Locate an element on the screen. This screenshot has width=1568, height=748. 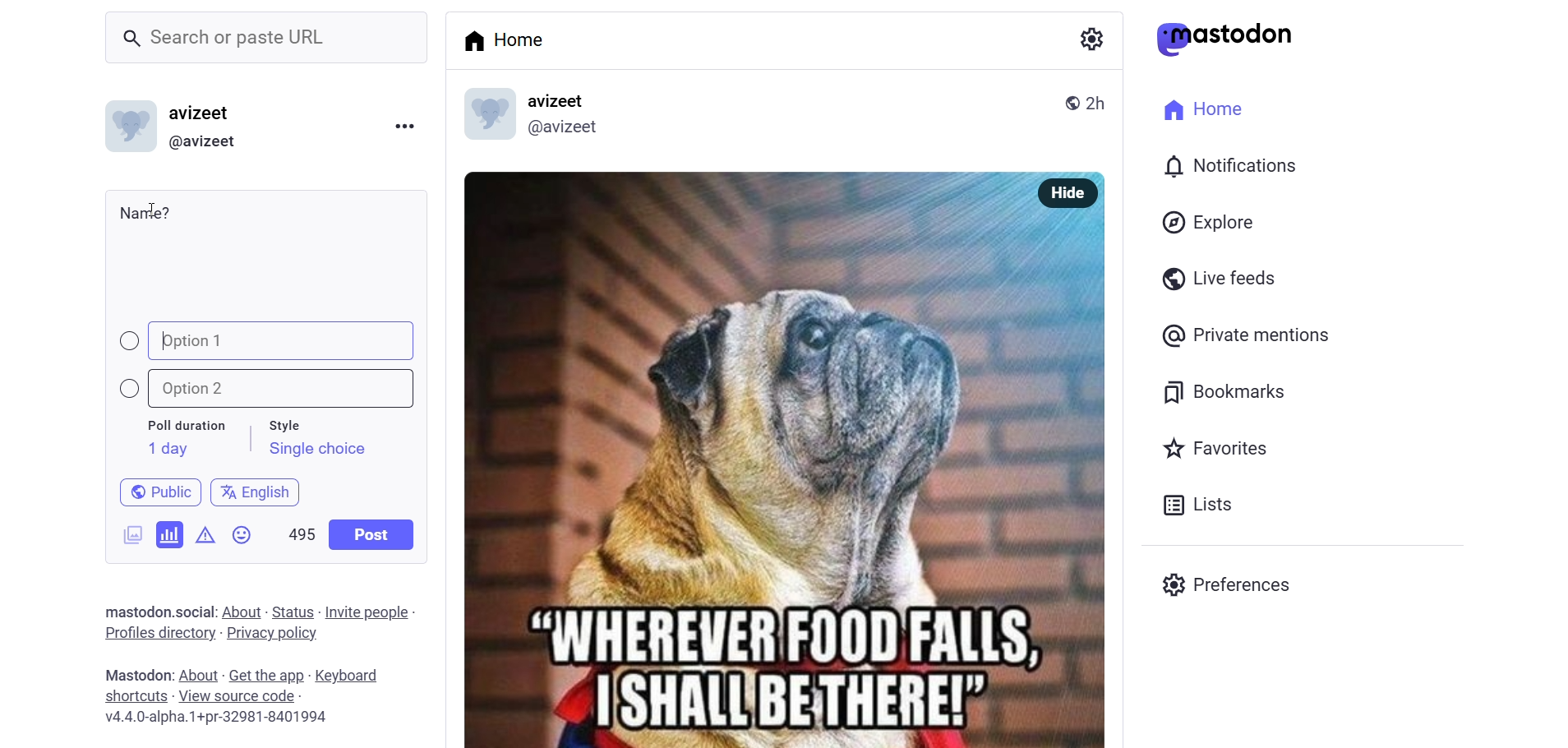
Search or paste URL is located at coordinates (266, 38).